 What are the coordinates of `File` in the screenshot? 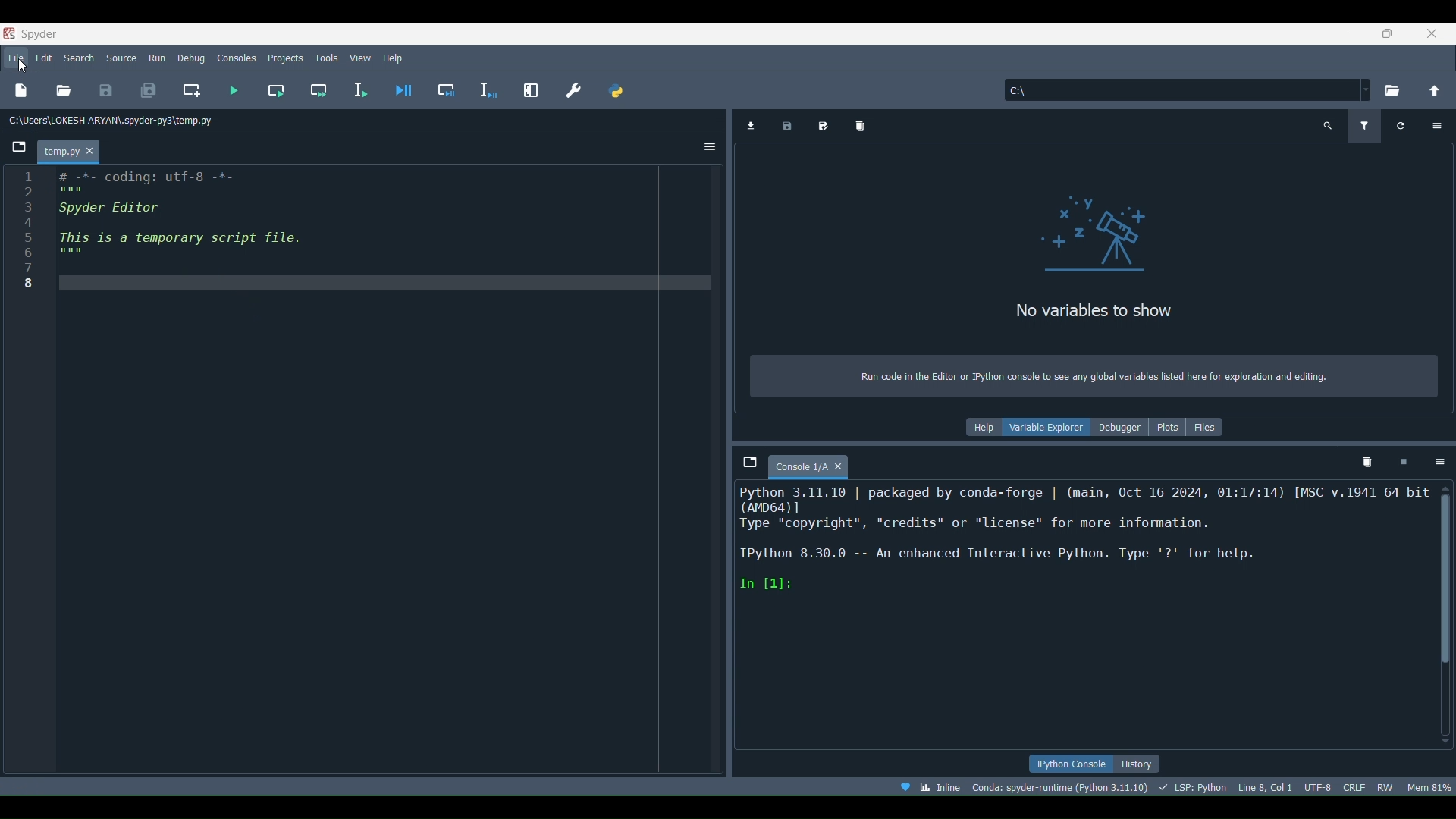 It's located at (17, 59).